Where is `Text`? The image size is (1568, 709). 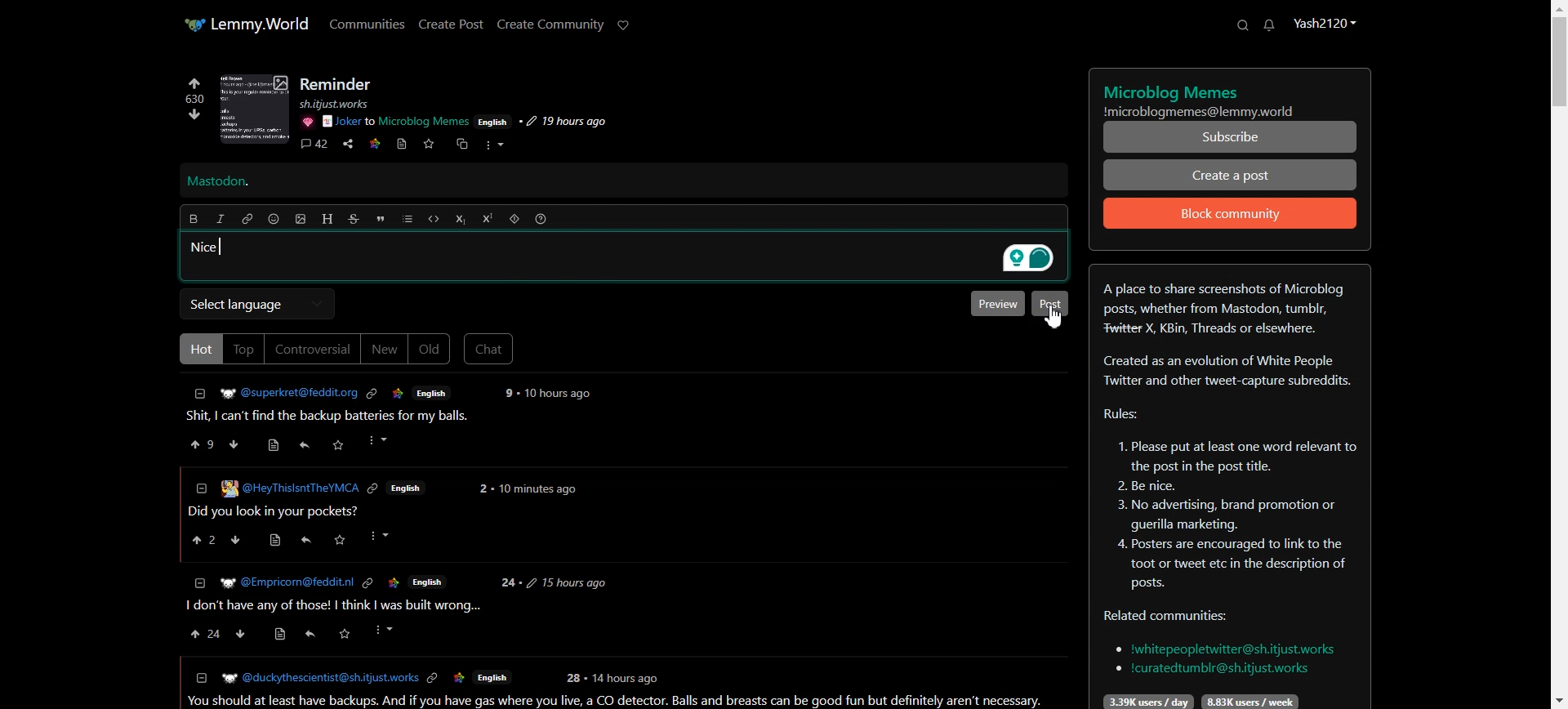
Text is located at coordinates (1229, 487).